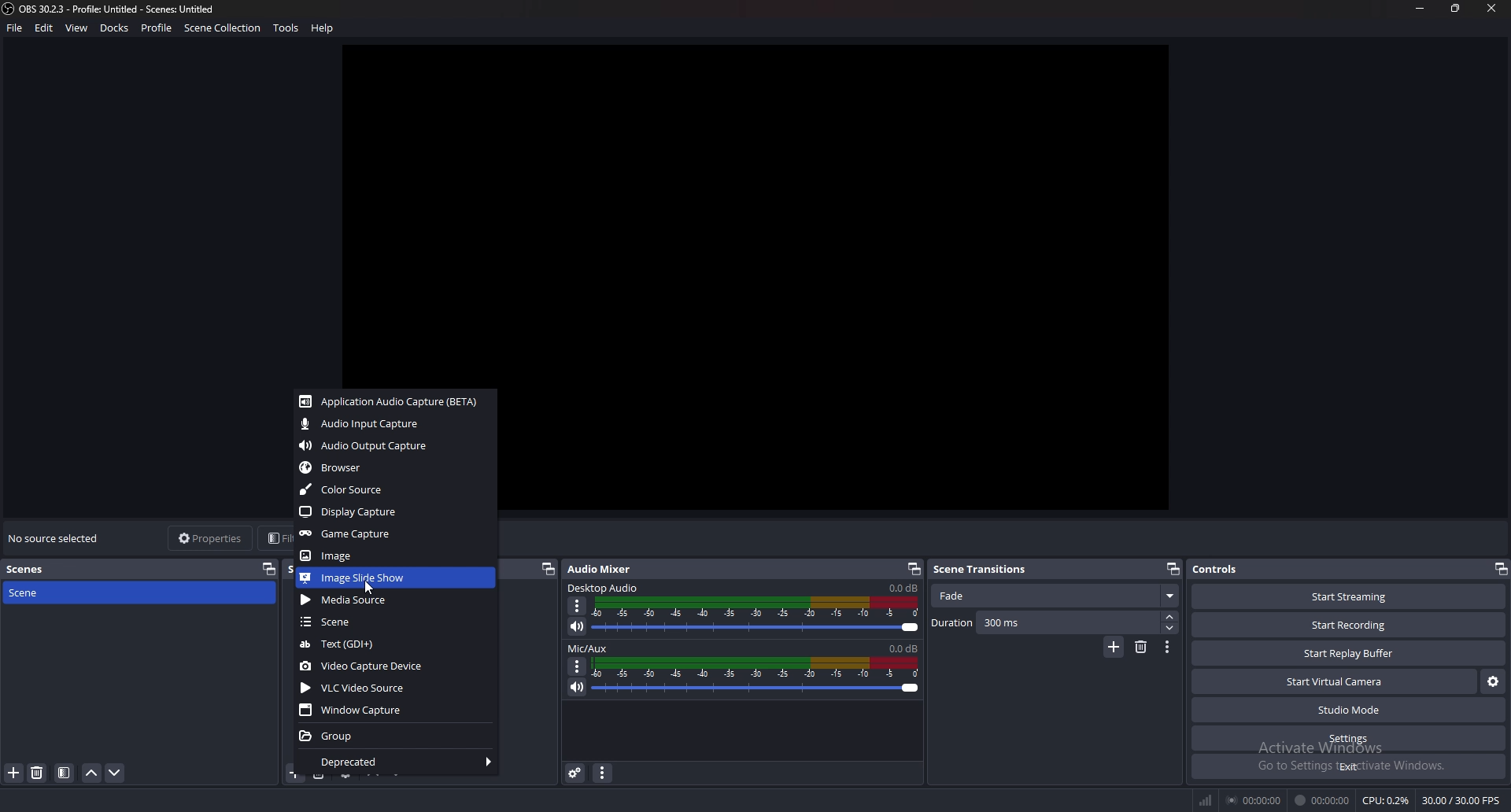  Describe the element at coordinates (850, 271) in the screenshot. I see `all good` at that location.